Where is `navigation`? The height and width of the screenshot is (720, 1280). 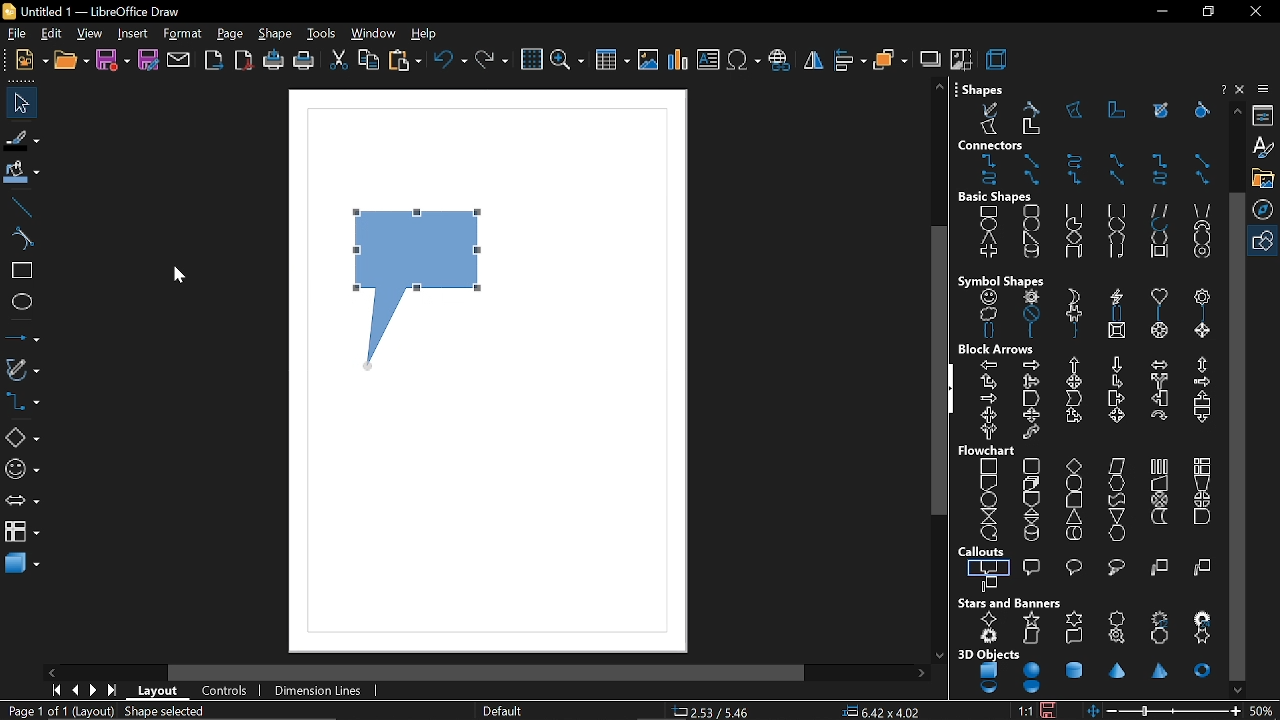
navigation is located at coordinates (1266, 208).